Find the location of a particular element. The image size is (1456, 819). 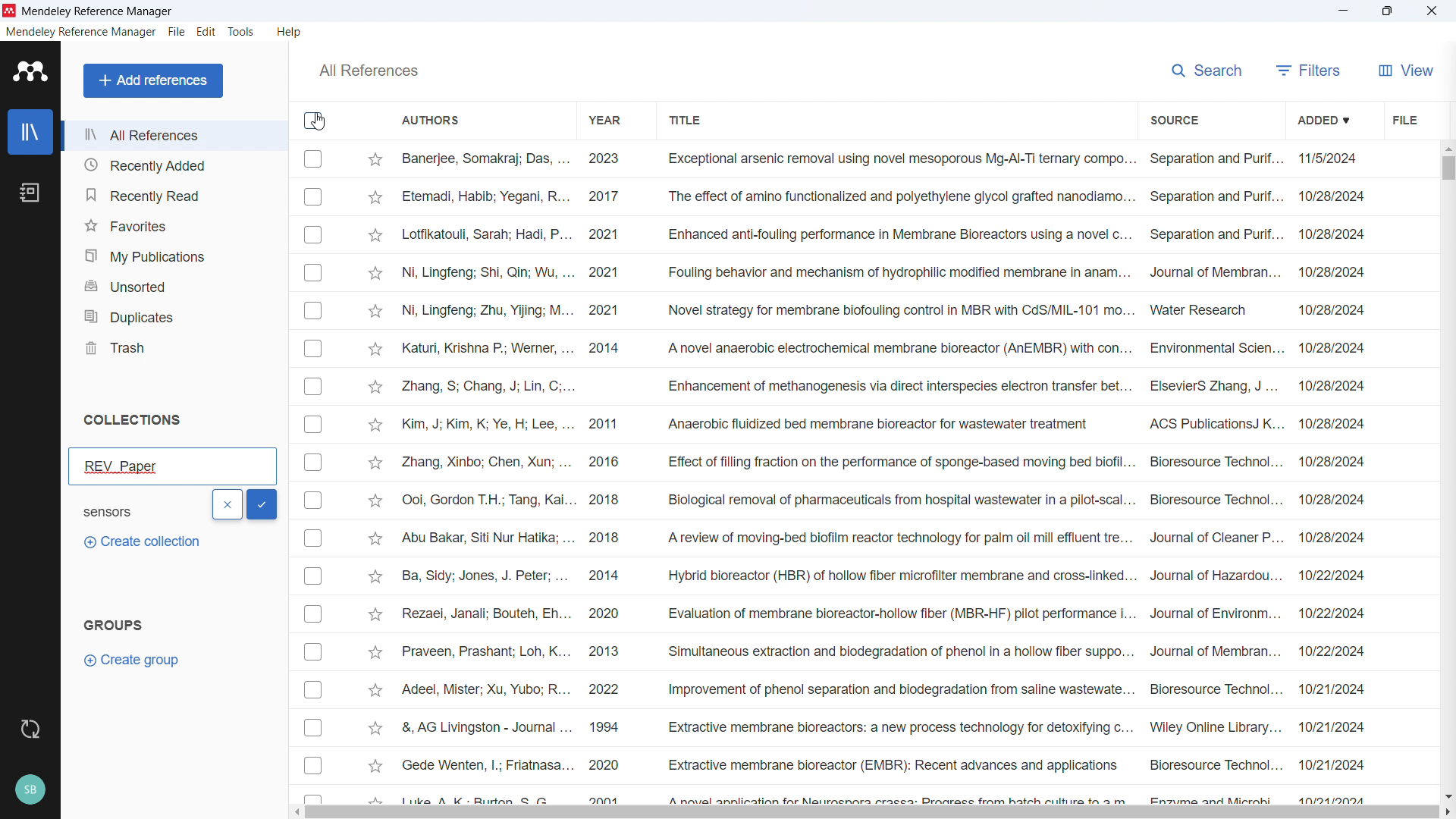

Collections  is located at coordinates (133, 420).